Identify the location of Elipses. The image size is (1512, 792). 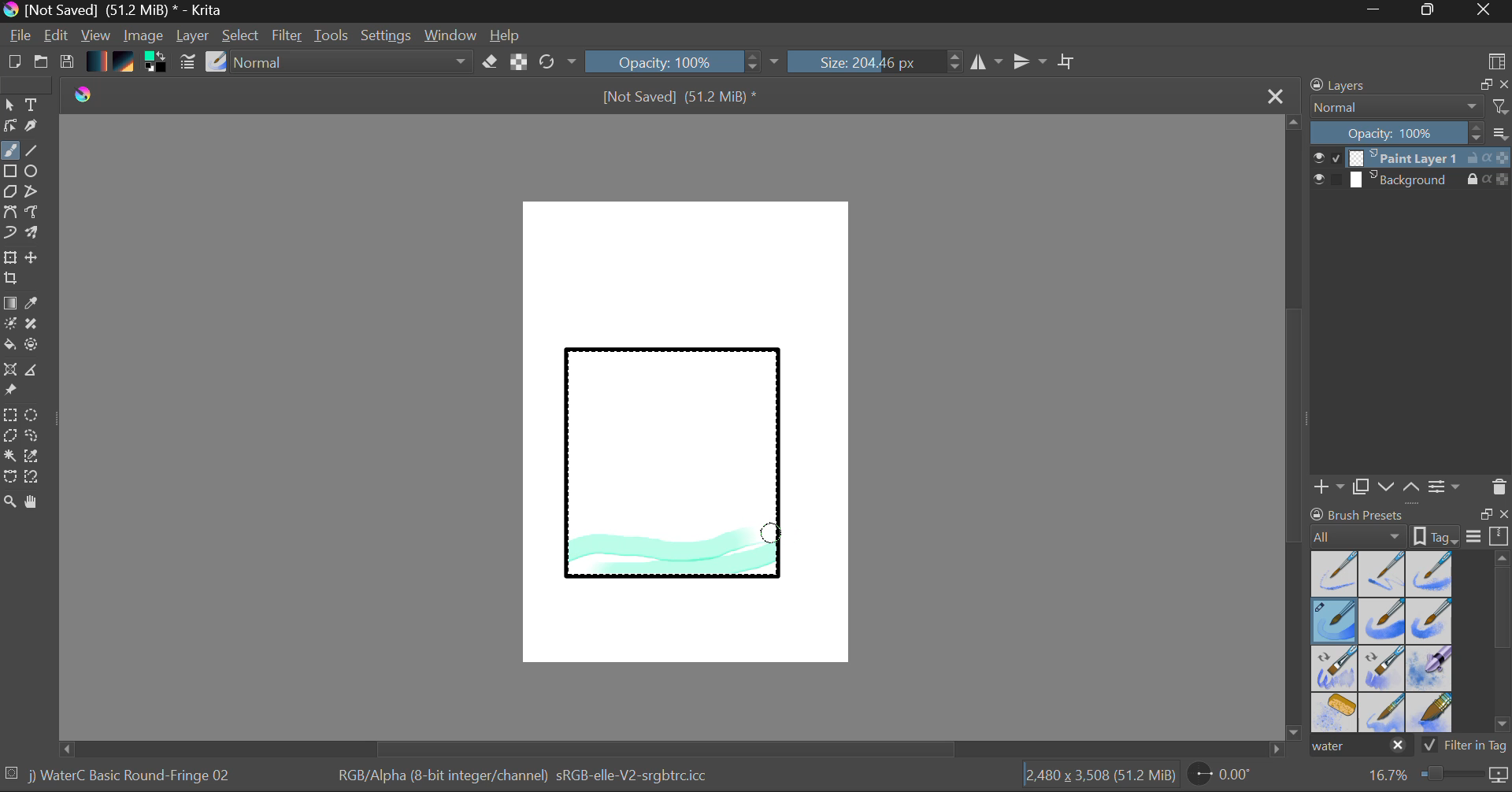
(34, 172).